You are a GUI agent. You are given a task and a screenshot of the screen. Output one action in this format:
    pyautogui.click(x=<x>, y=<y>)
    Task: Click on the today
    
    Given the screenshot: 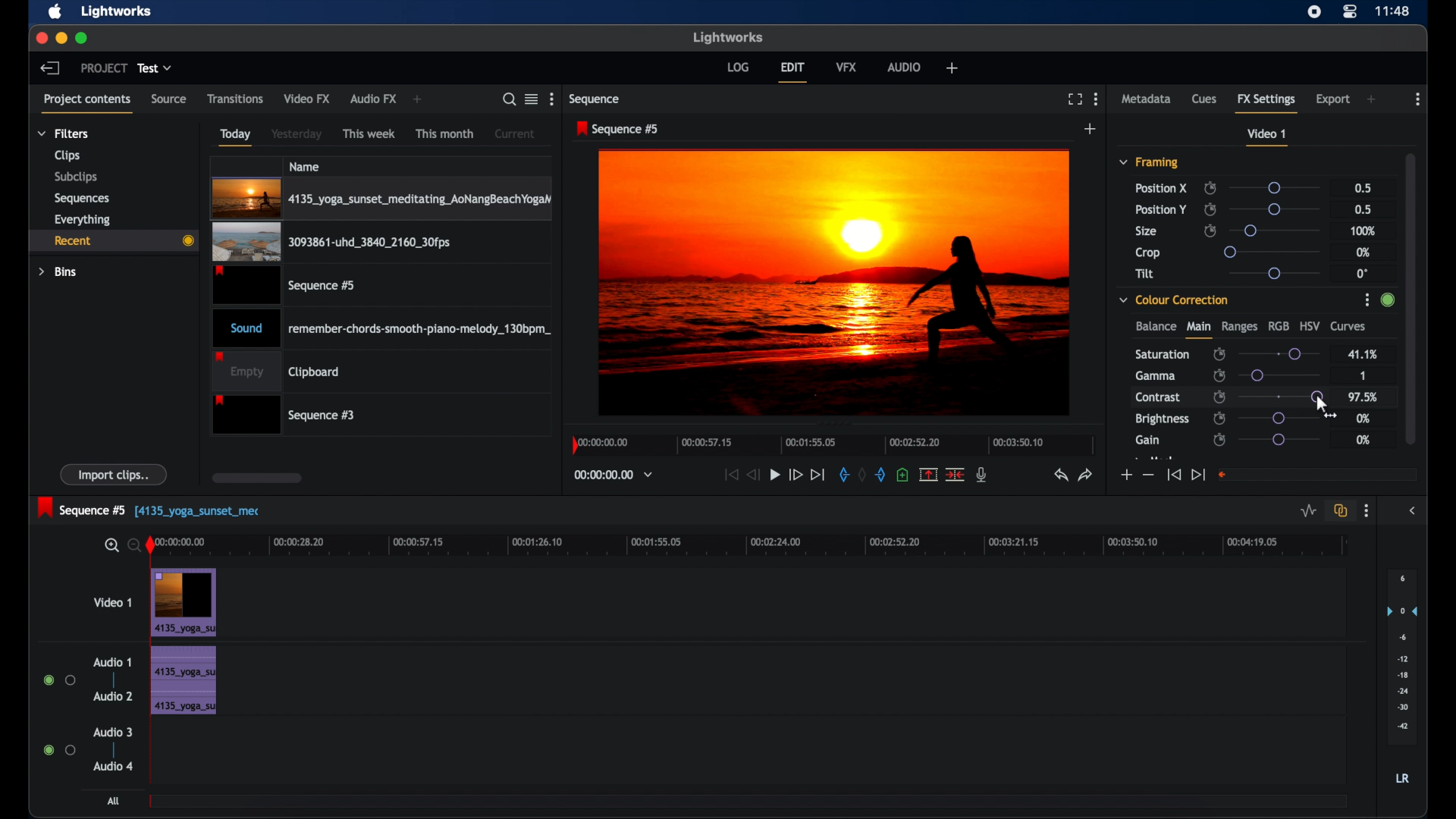 What is the action you would take?
    pyautogui.click(x=235, y=136)
    